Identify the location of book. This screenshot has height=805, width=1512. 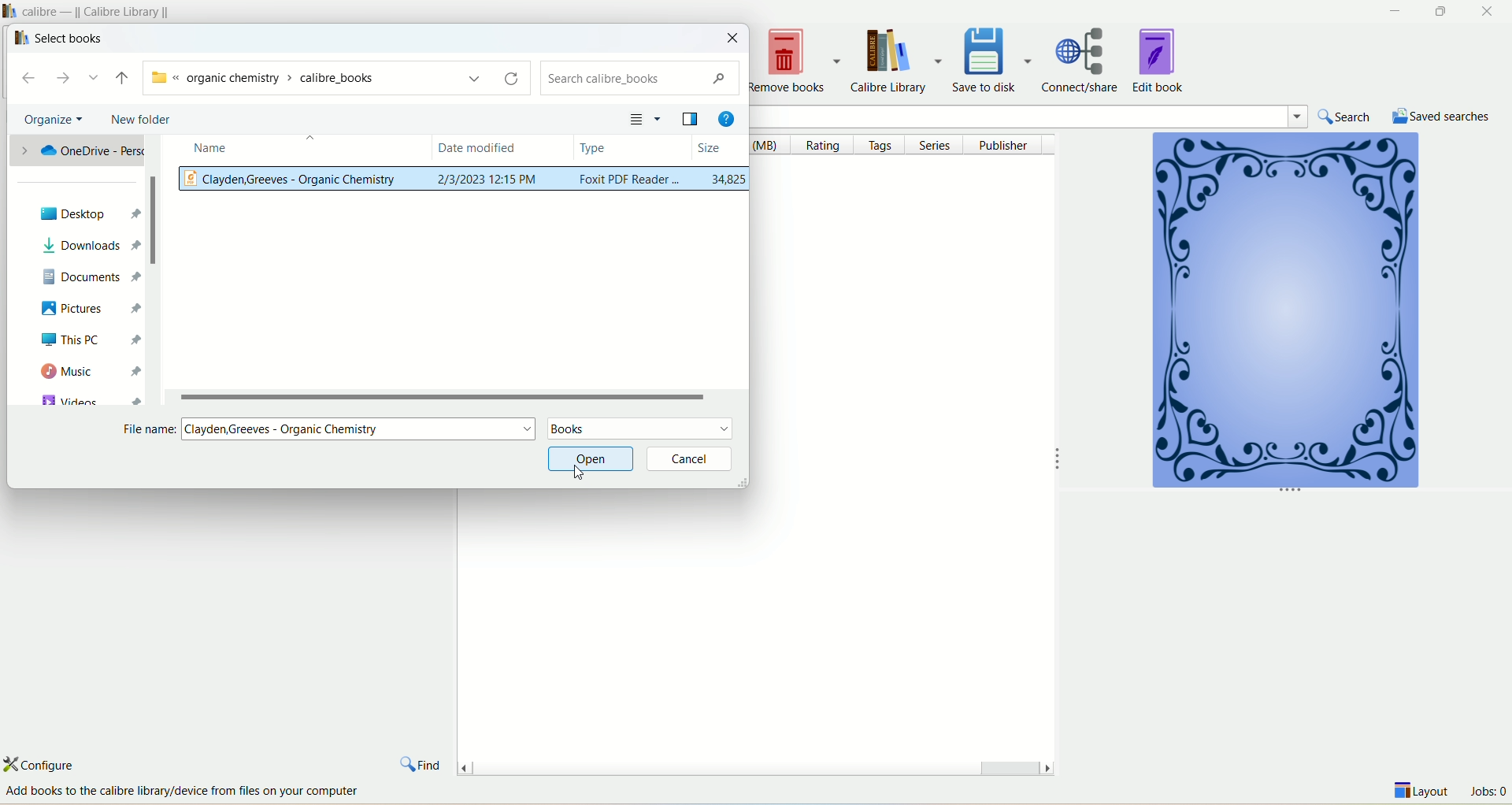
(1283, 314).